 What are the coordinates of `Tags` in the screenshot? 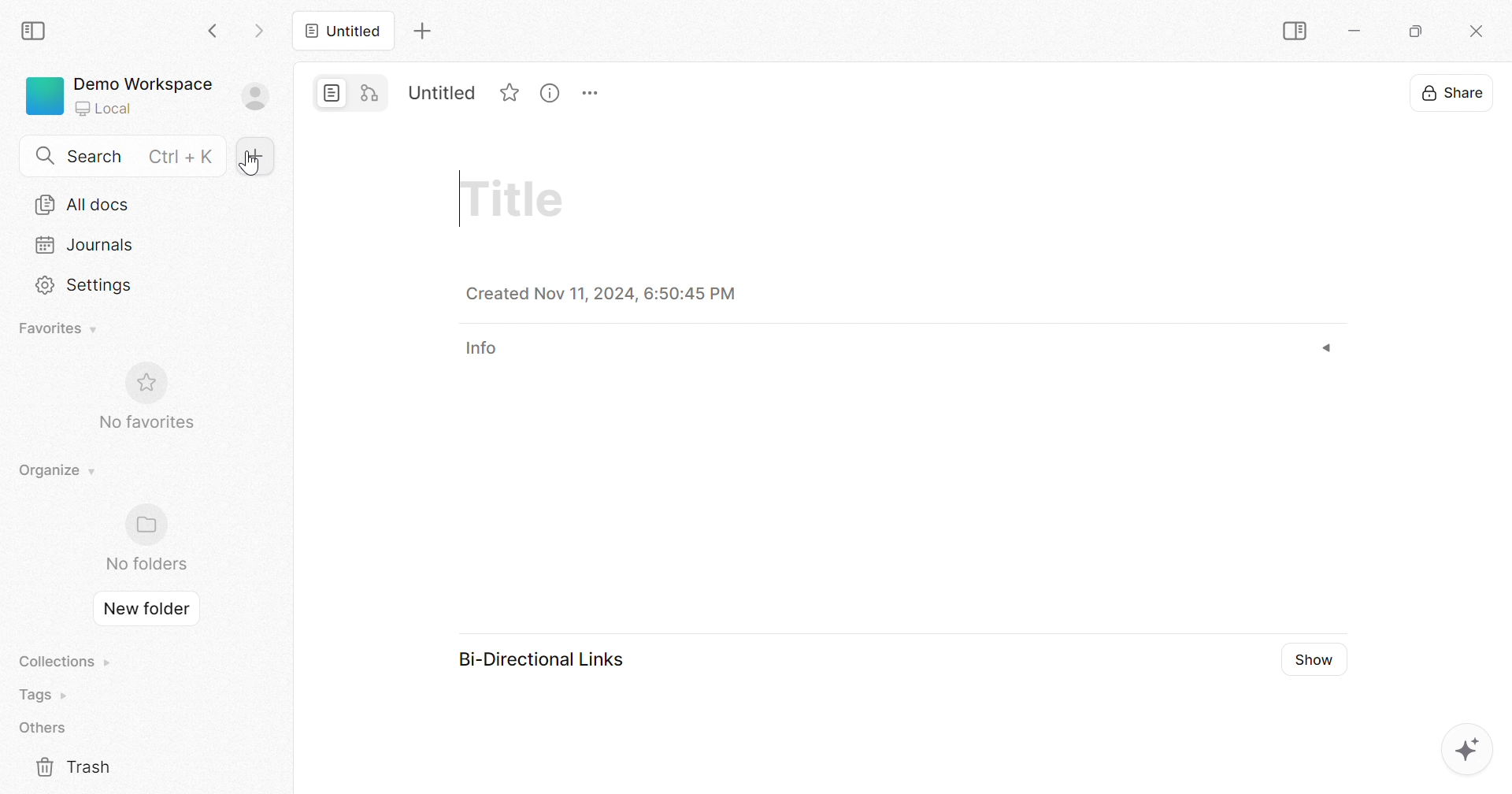 It's located at (46, 695).